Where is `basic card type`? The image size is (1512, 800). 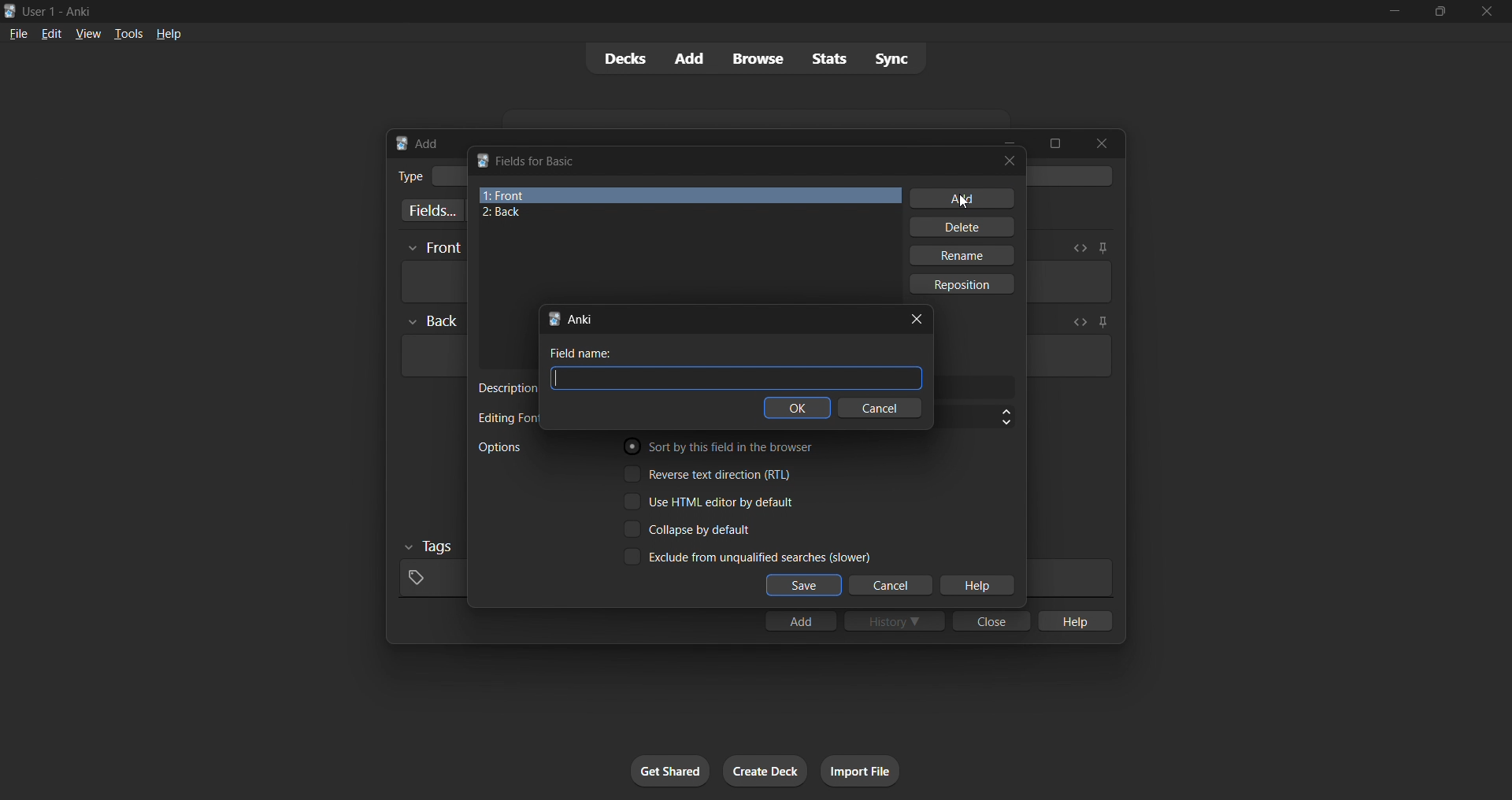 basic card type is located at coordinates (448, 176).